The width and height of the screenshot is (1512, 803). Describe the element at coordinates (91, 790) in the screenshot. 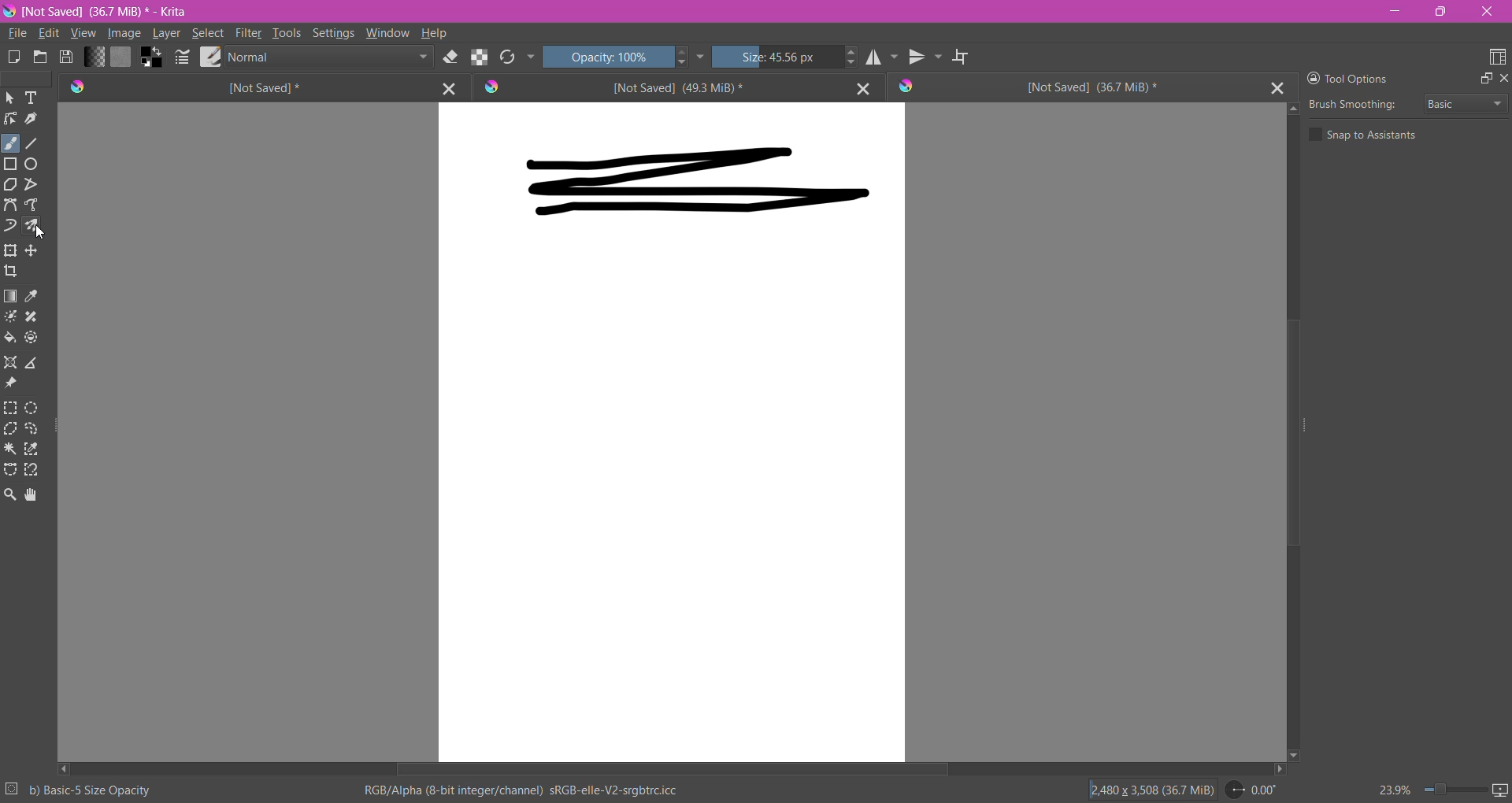

I see `Selected Brush Preset` at that location.